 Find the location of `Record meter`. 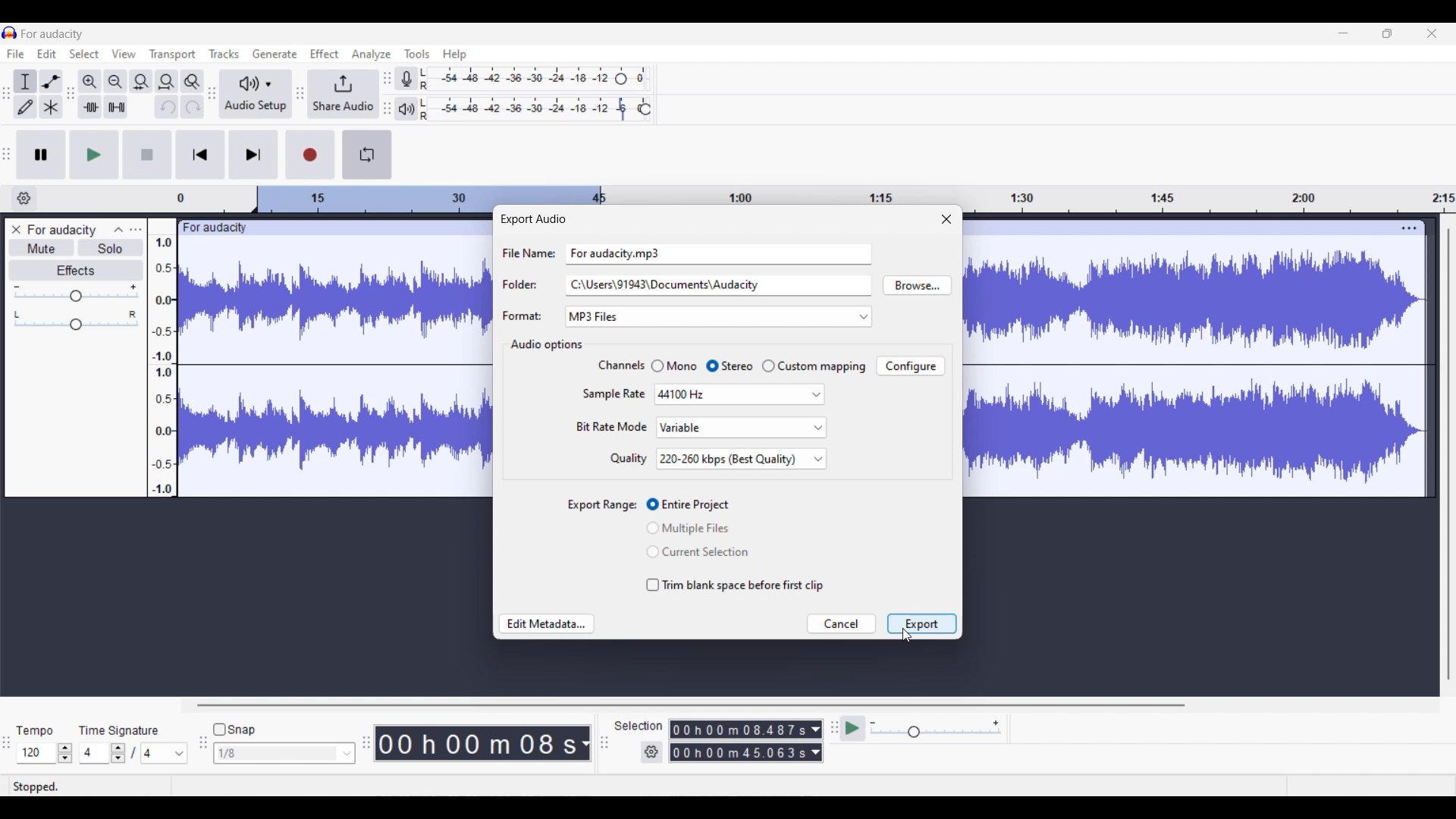

Record meter is located at coordinates (407, 79).